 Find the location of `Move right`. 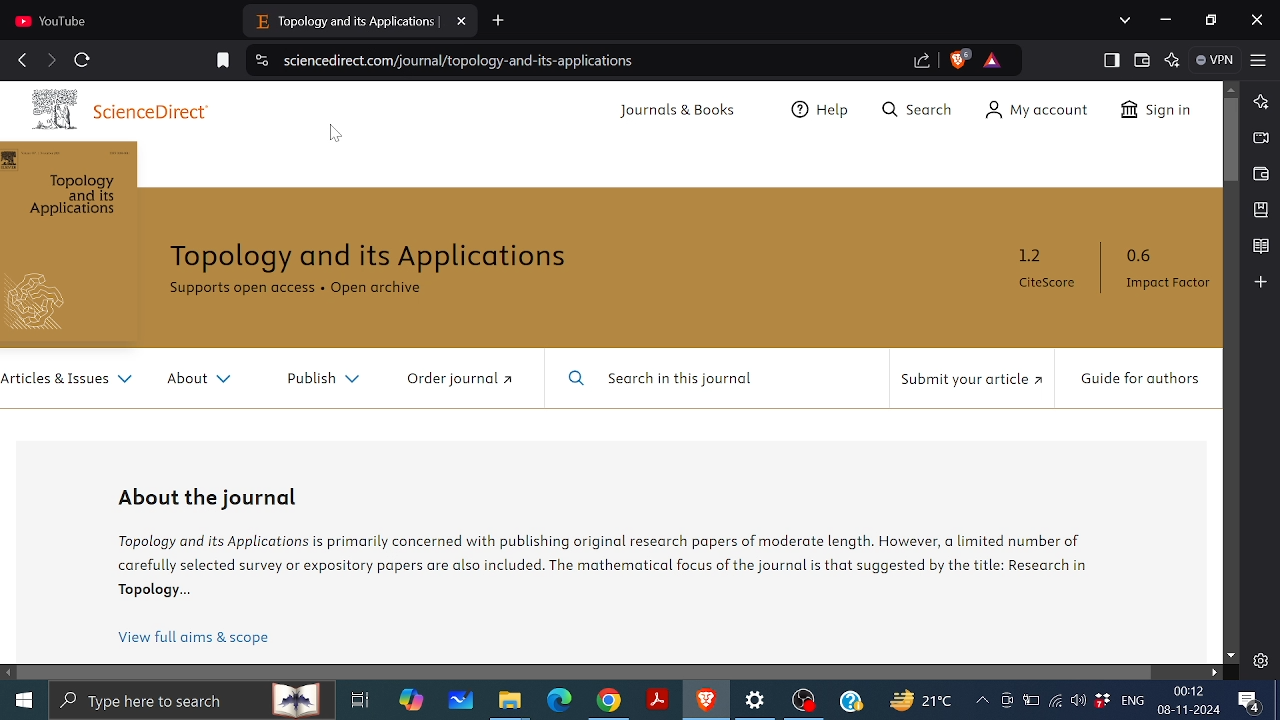

Move right is located at coordinates (1213, 672).